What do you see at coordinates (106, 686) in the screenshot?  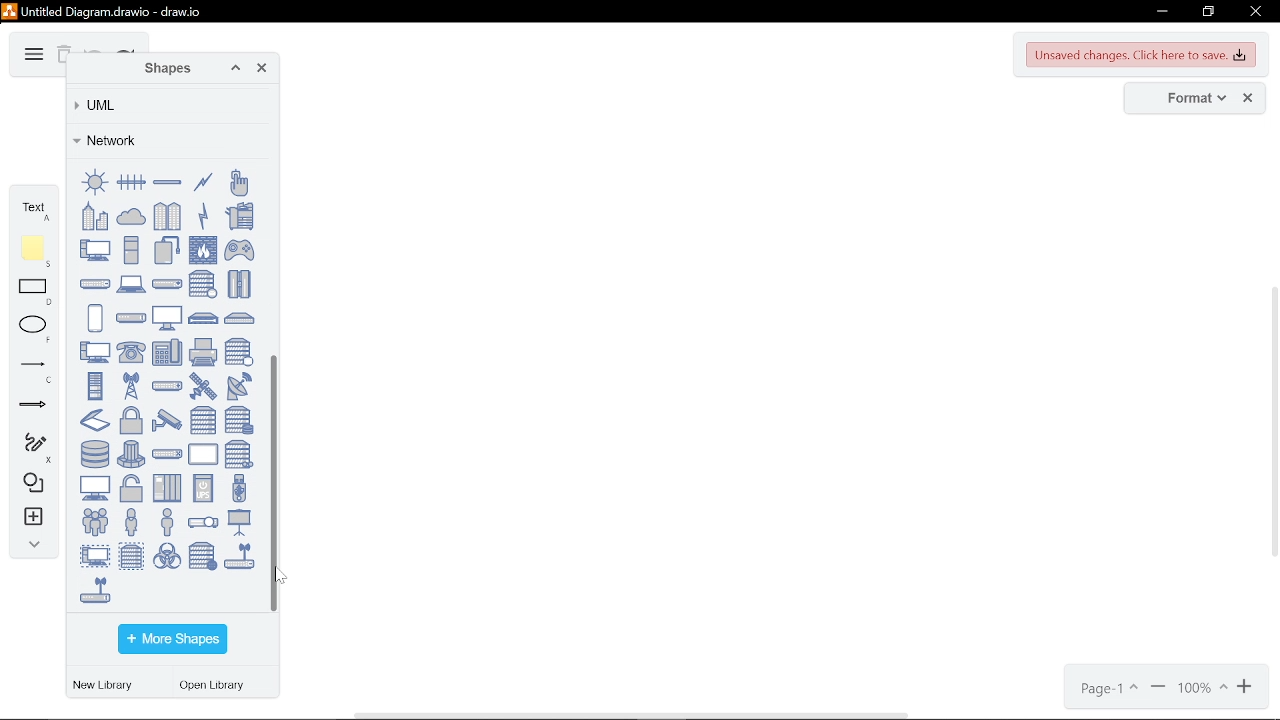 I see `new library` at bounding box center [106, 686].